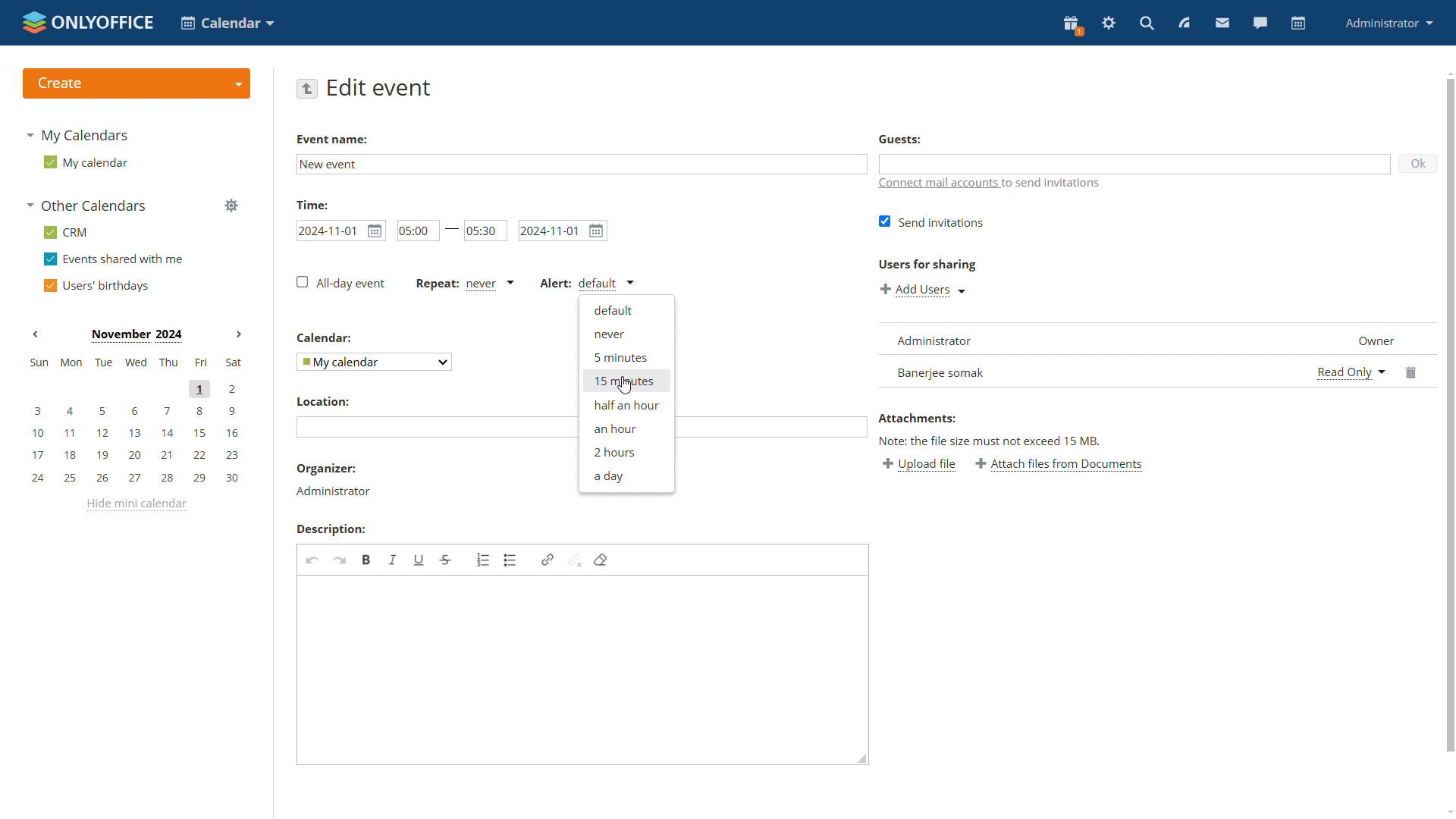  I want to click on Cursor, so click(625, 385).